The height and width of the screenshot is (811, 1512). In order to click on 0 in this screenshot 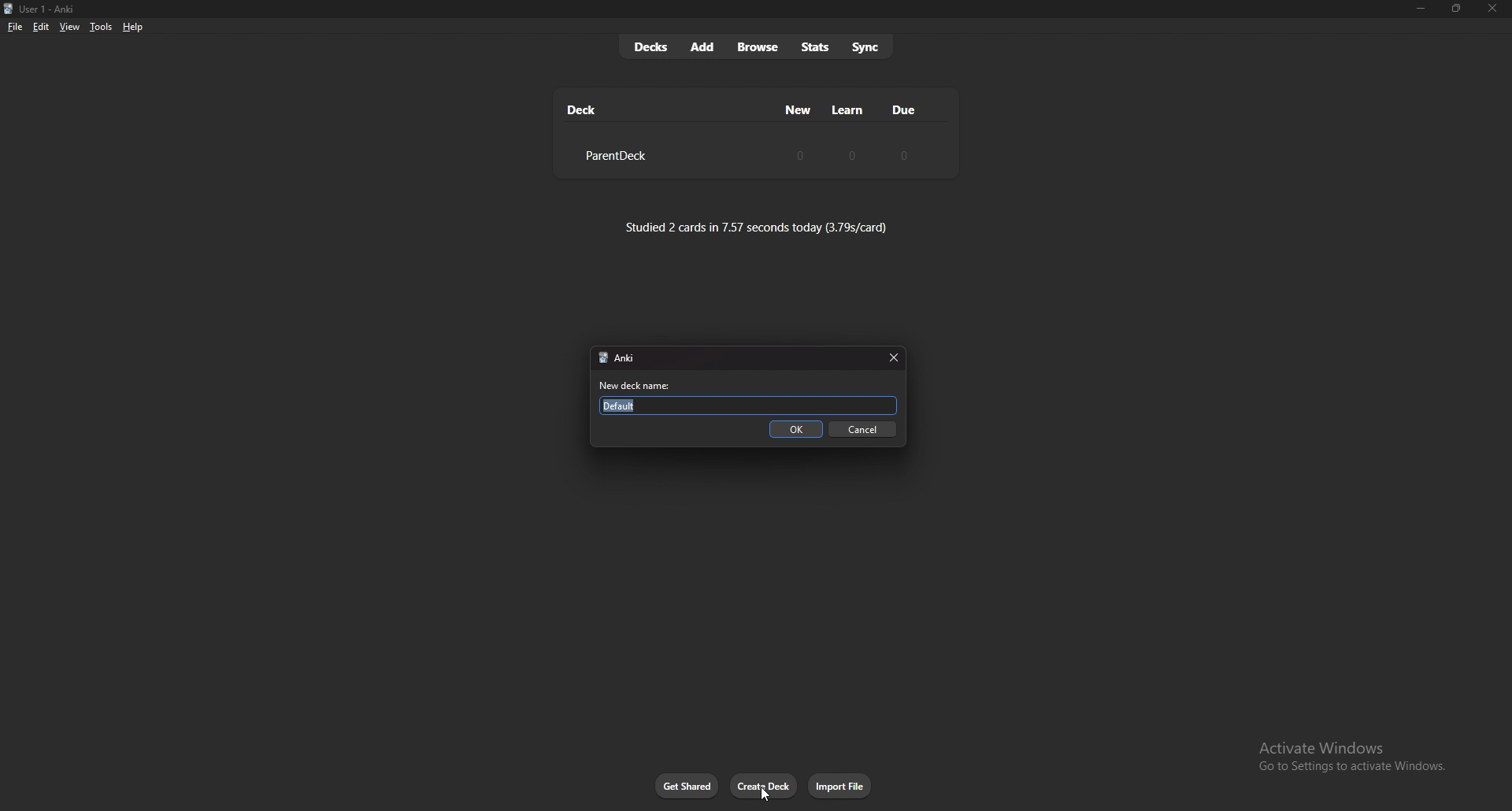, I will do `click(800, 154)`.